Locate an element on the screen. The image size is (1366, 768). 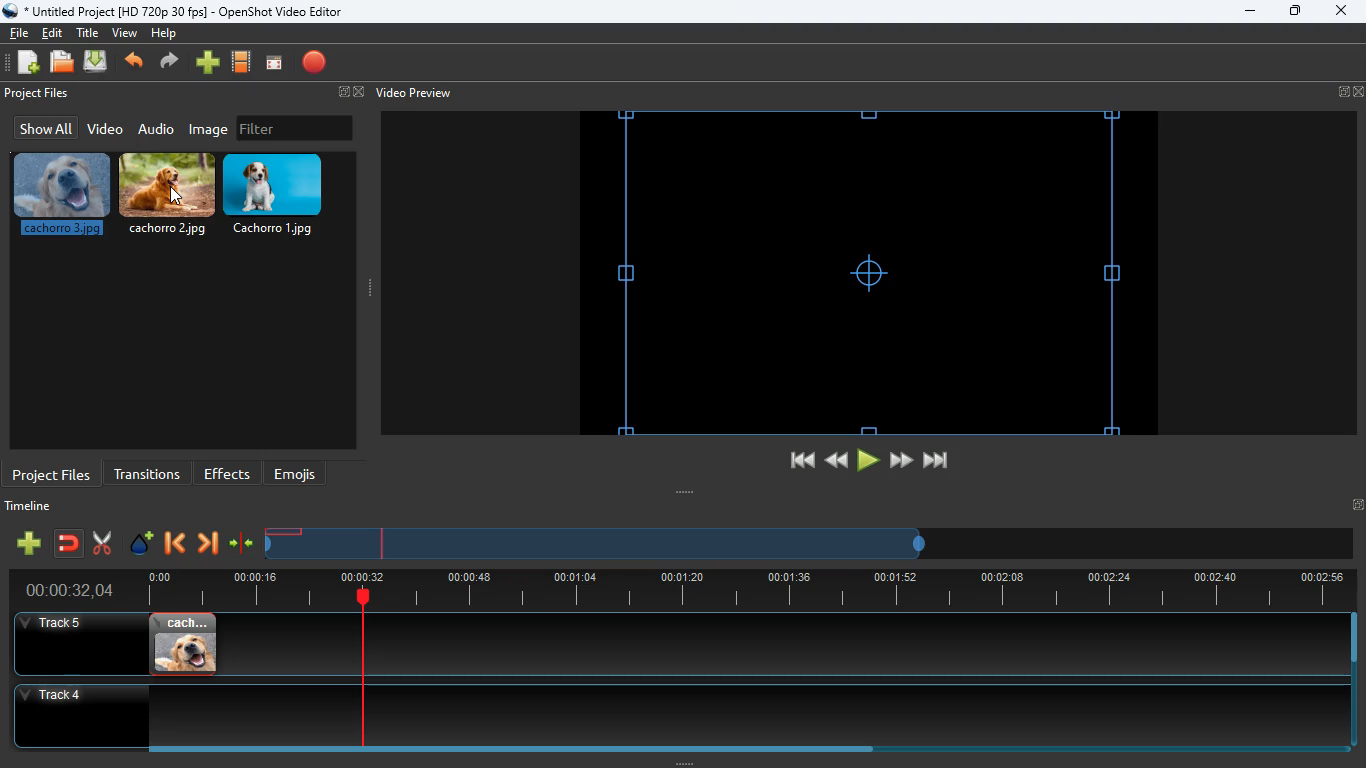
cachorro.1.jpg is located at coordinates (281, 195).